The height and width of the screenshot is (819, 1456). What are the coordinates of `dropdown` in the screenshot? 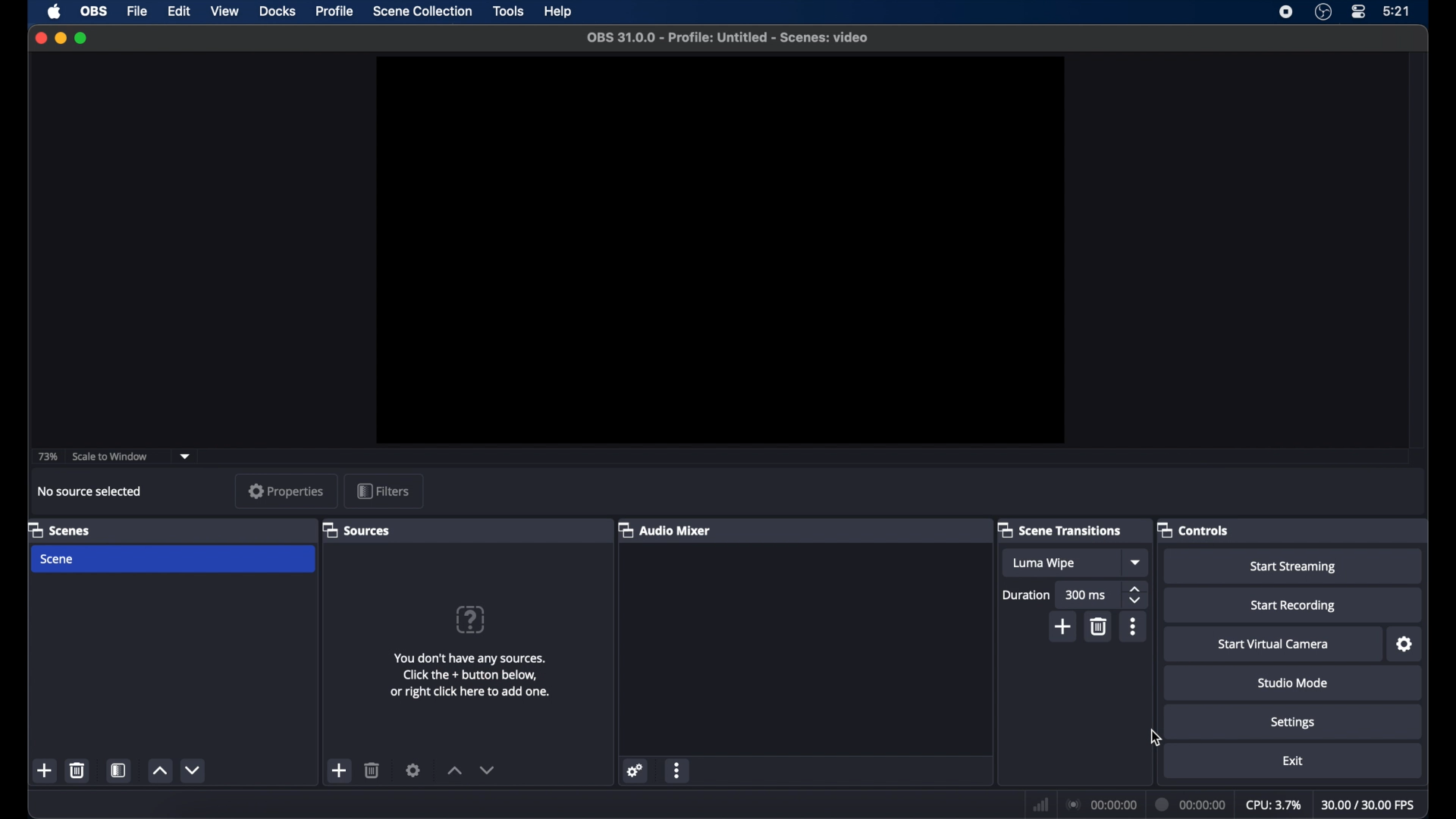 It's located at (186, 457).